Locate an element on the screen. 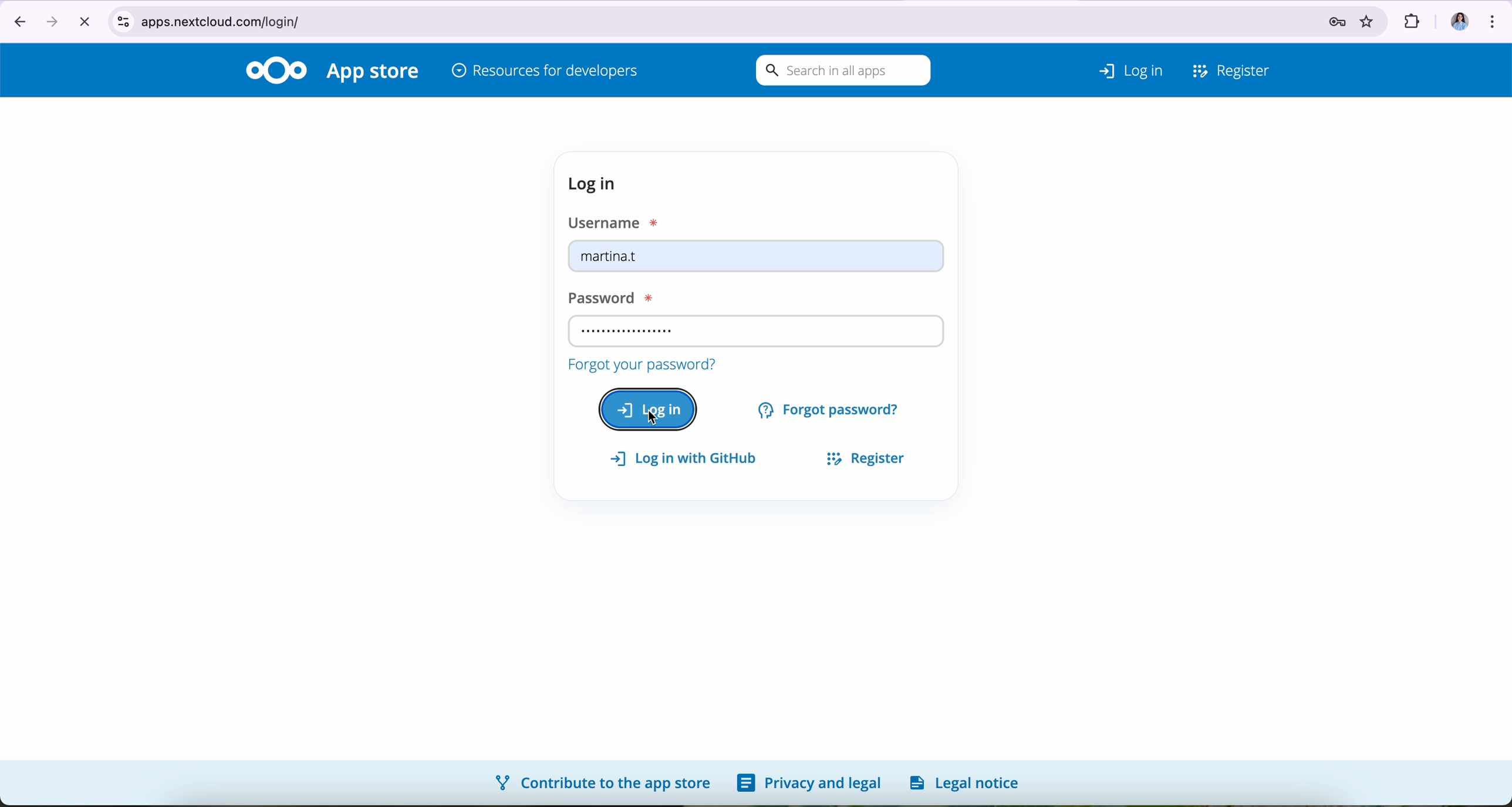  password  is located at coordinates (606, 295).